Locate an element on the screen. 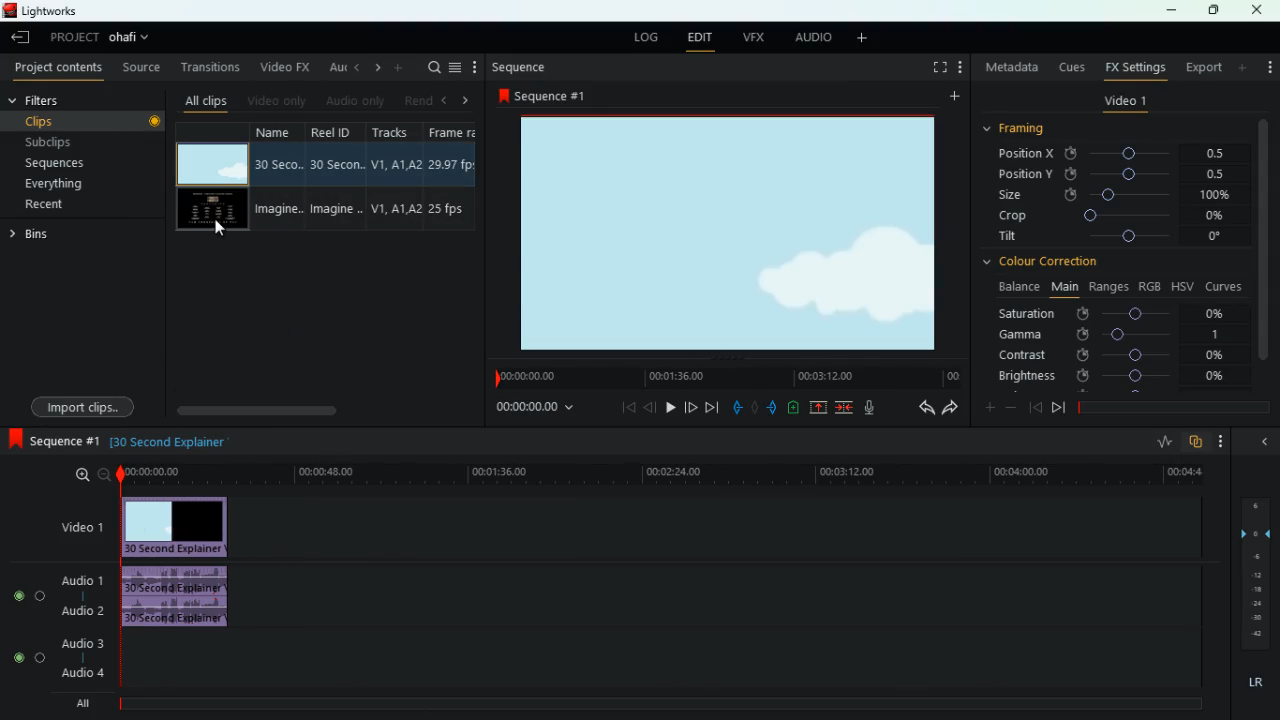 The height and width of the screenshot is (720, 1280). video fx is located at coordinates (282, 68).